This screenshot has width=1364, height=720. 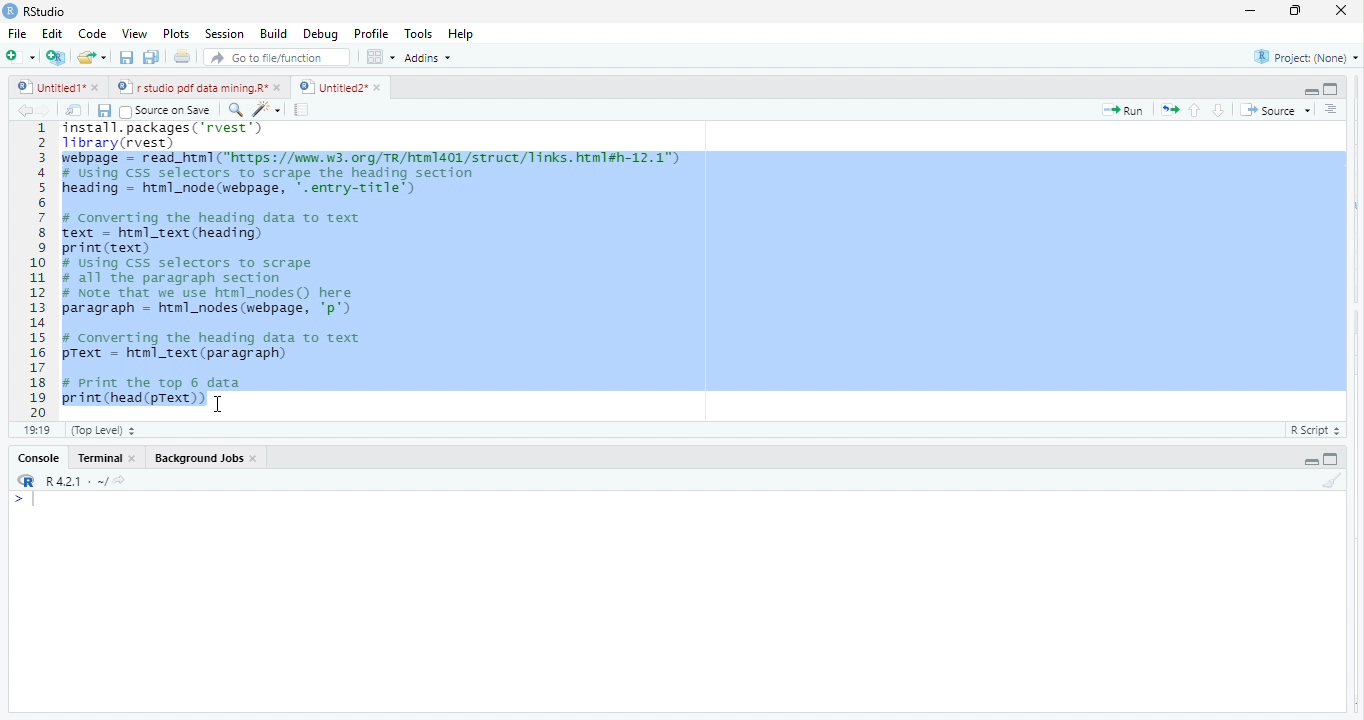 I want to click on close, so click(x=255, y=458).